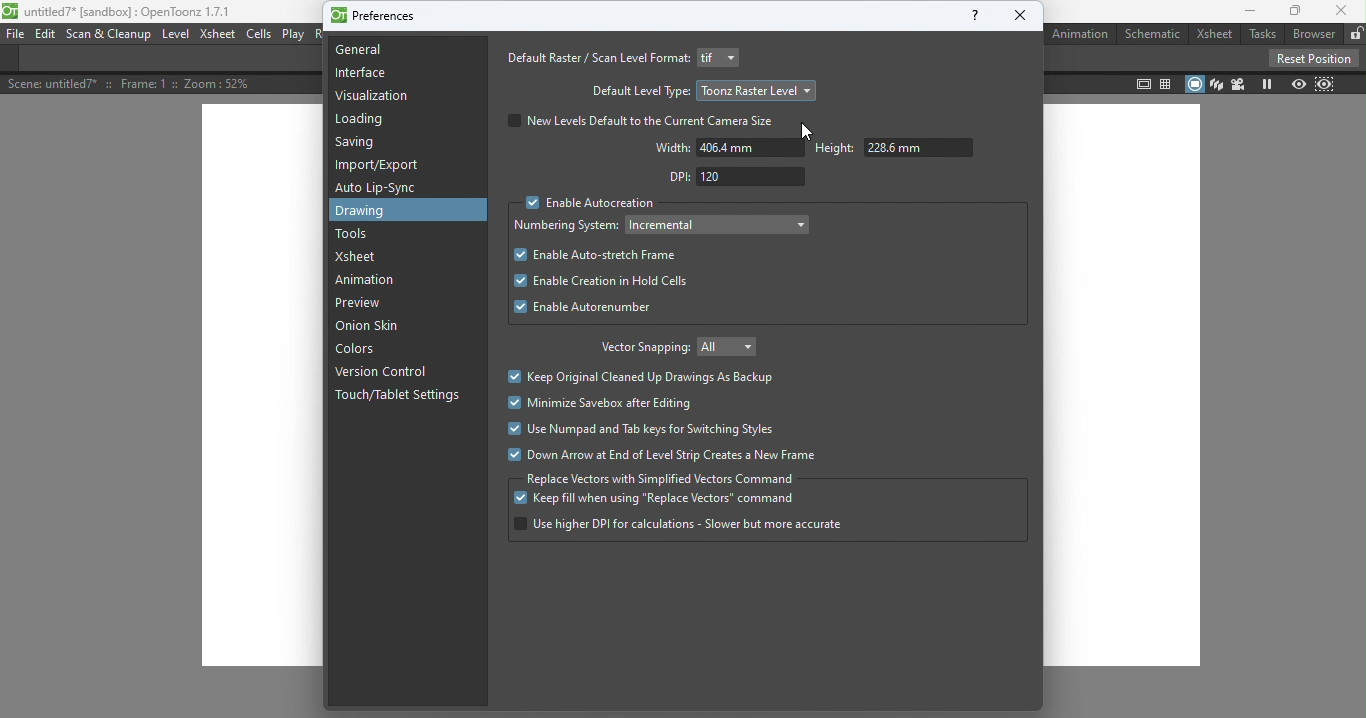 This screenshot has height=718, width=1366. Describe the element at coordinates (1215, 83) in the screenshot. I see `3D view` at that location.